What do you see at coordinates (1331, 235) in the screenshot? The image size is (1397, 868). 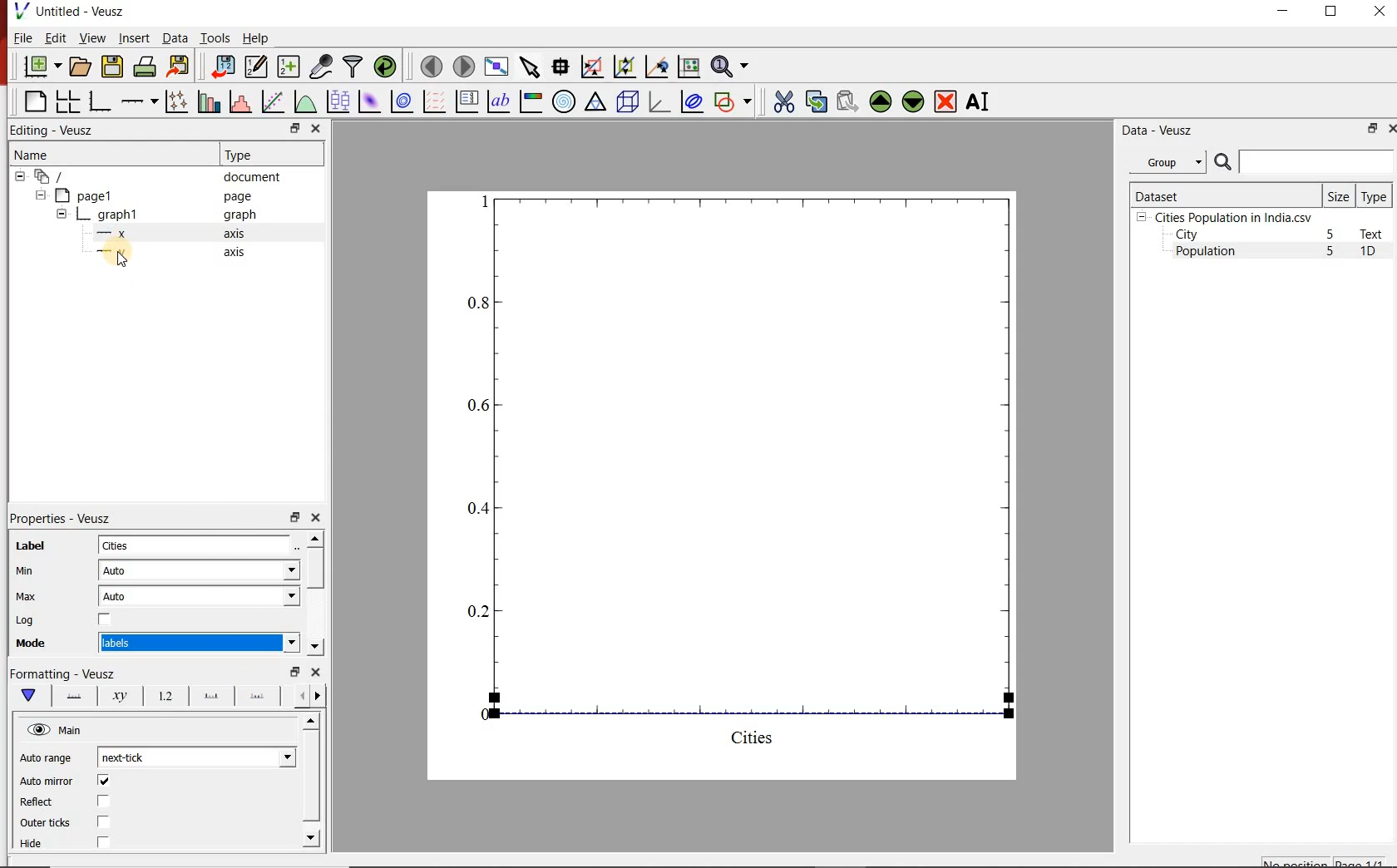 I see `5` at bounding box center [1331, 235].